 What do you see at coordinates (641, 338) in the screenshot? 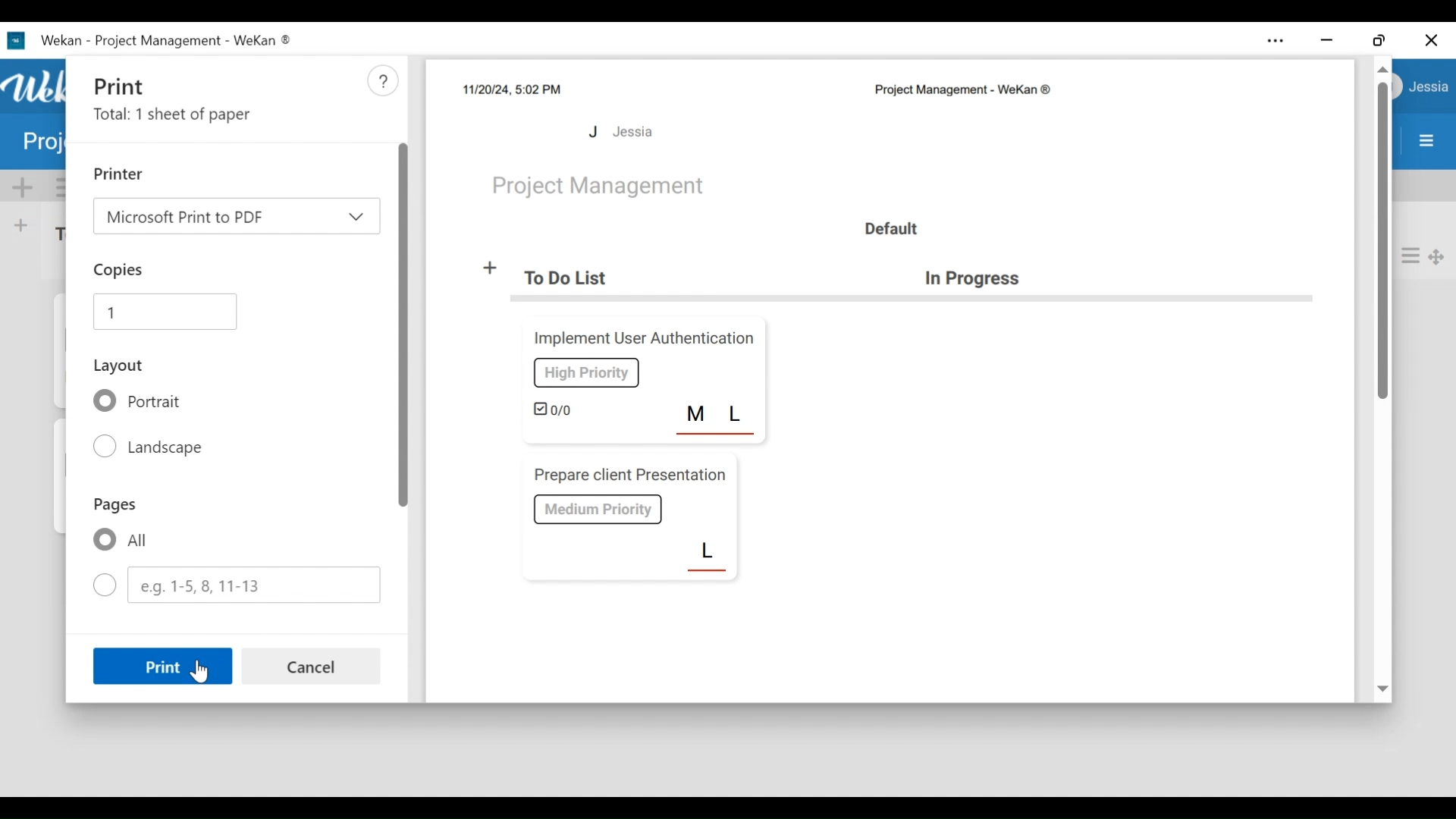
I see `Card Title` at bounding box center [641, 338].